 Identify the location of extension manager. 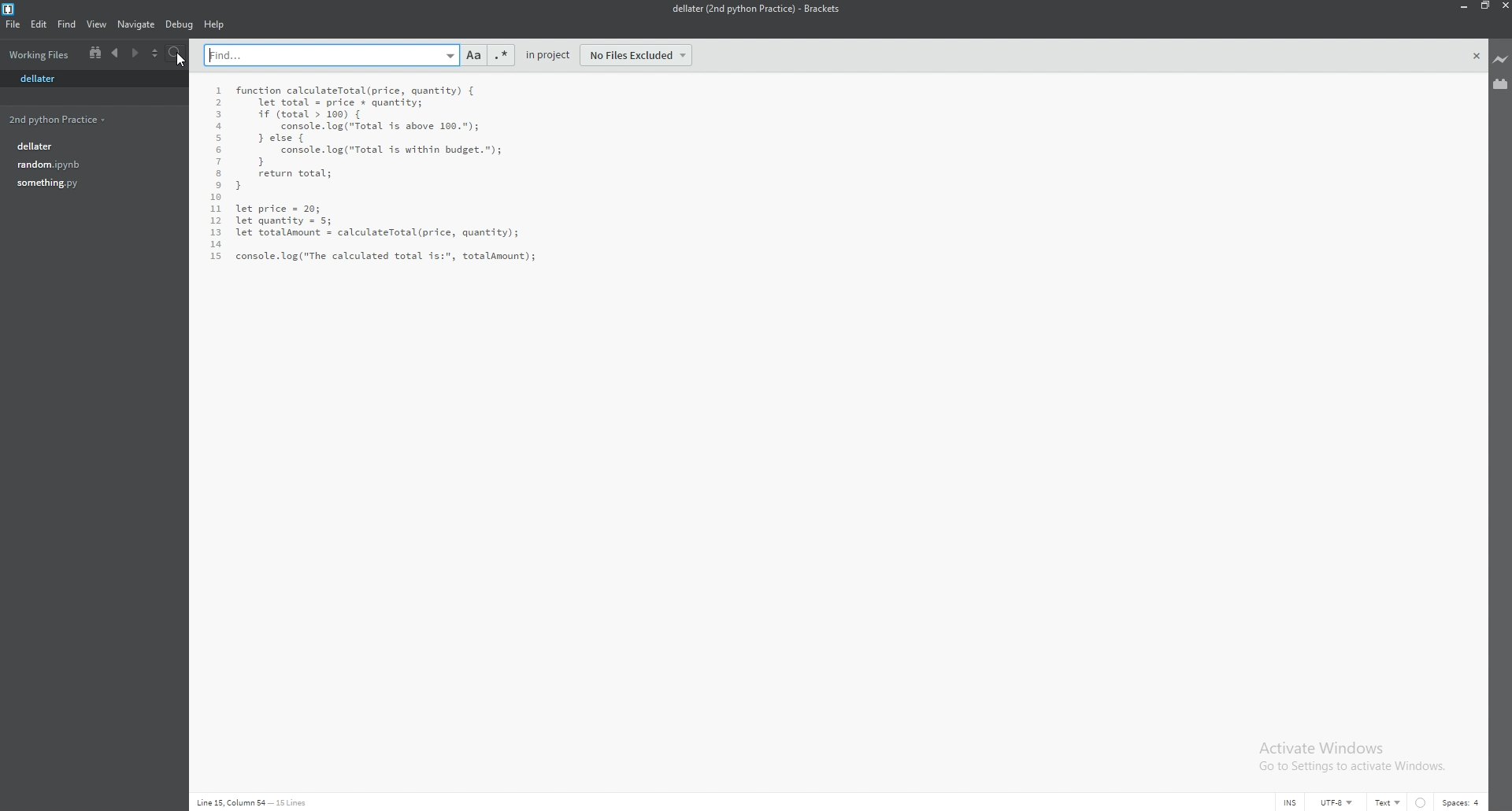
(1501, 84).